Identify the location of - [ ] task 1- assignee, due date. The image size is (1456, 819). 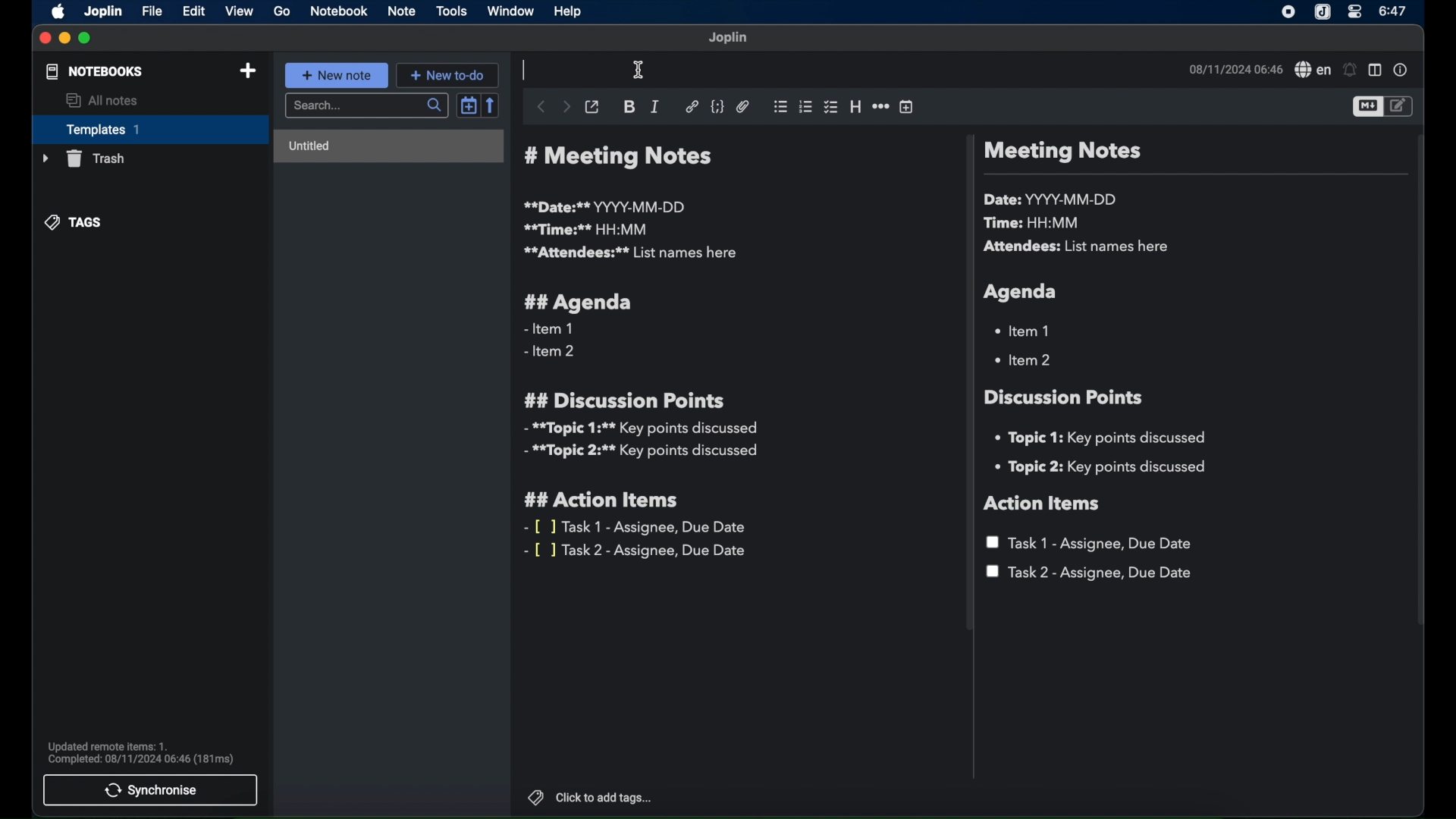
(636, 527).